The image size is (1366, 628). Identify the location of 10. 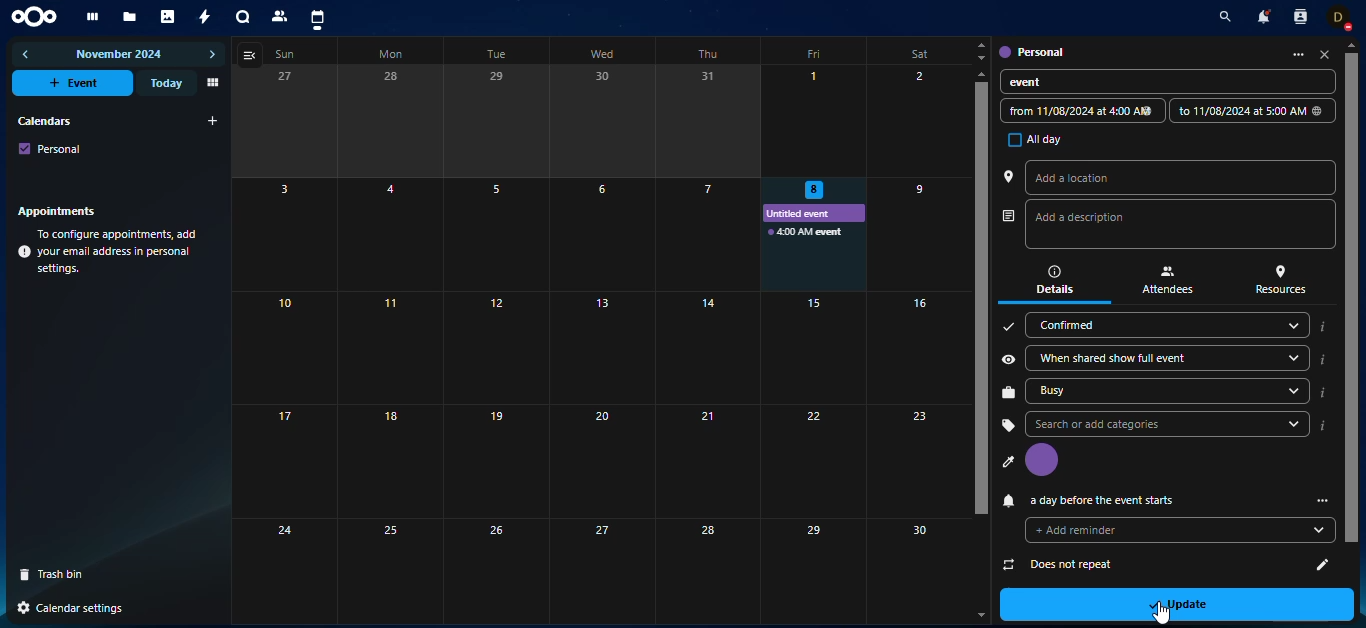
(286, 348).